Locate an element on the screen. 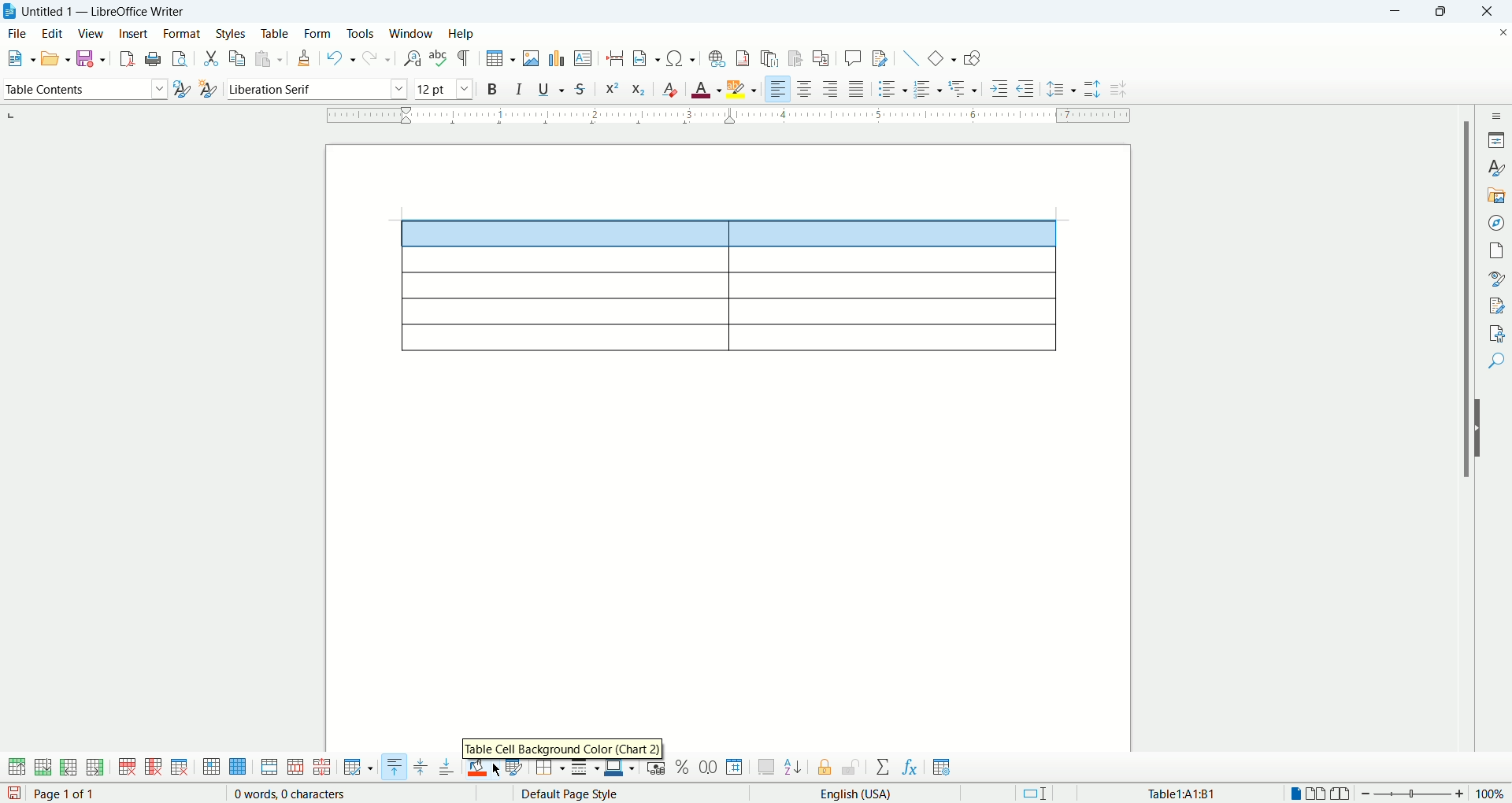  delete selected row is located at coordinates (128, 767).